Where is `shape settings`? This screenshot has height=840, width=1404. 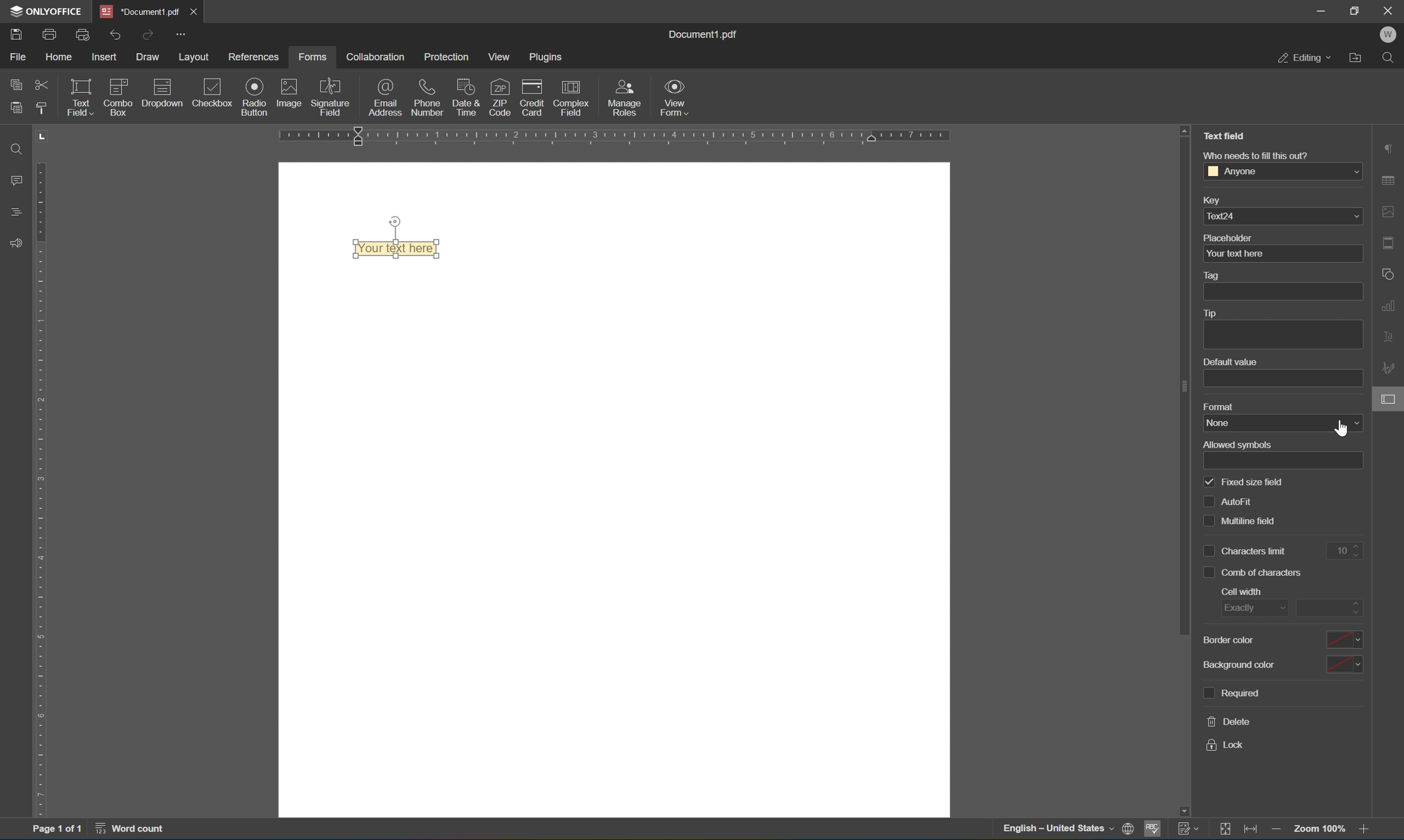 shape settings is located at coordinates (1390, 273).